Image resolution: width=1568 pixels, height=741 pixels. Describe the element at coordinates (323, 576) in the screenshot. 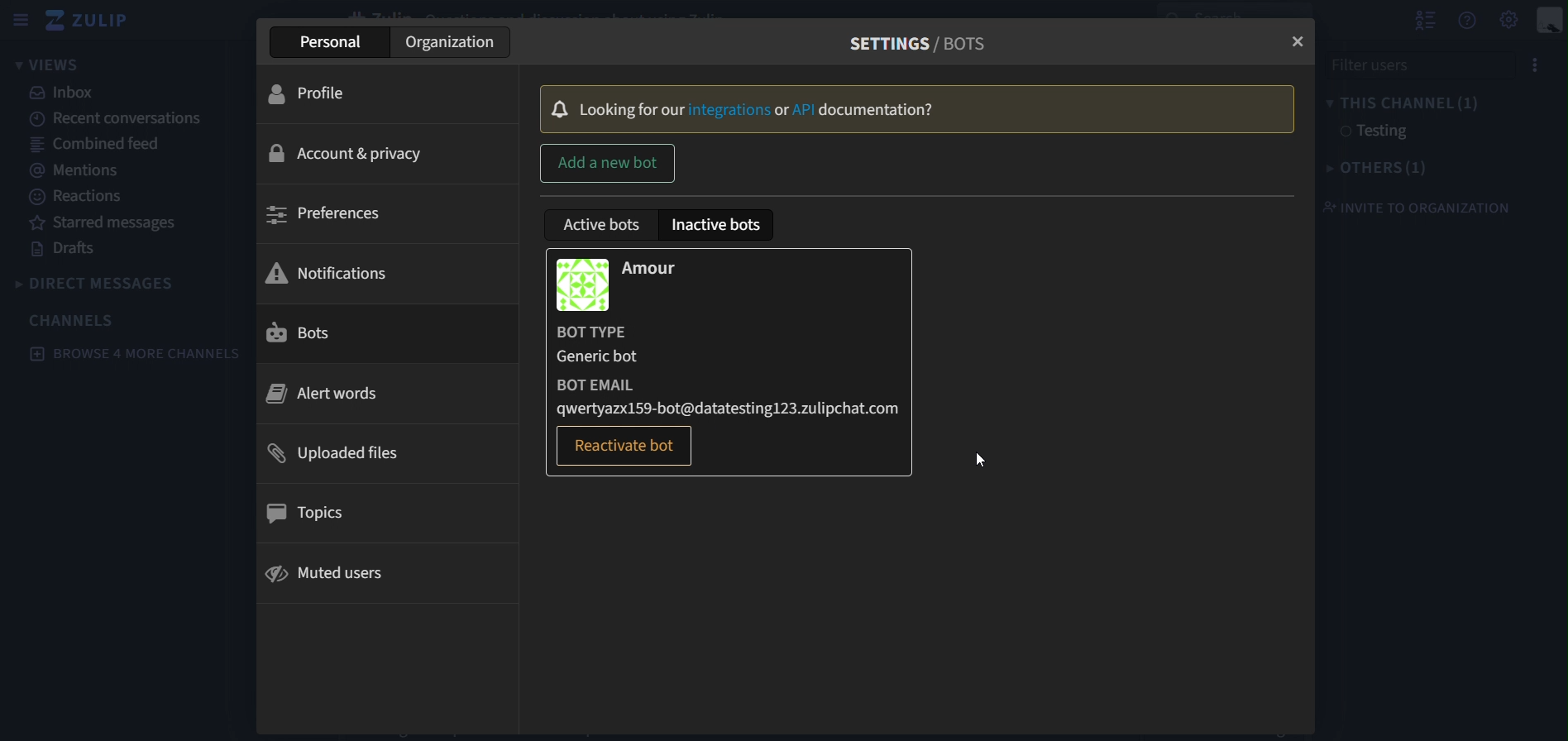

I see `muted users` at that location.